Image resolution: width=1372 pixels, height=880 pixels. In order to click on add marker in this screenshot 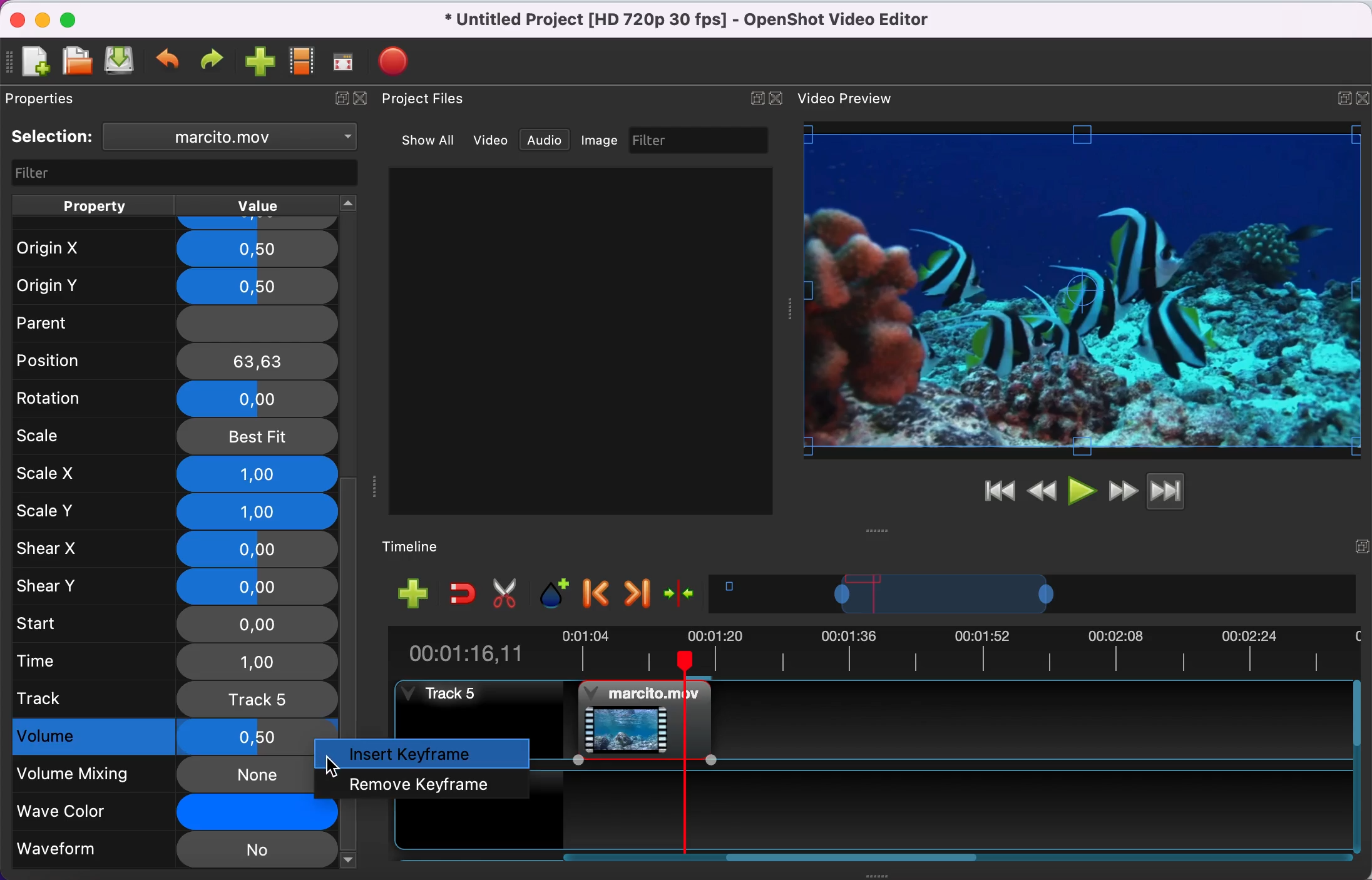, I will do `click(555, 593)`.